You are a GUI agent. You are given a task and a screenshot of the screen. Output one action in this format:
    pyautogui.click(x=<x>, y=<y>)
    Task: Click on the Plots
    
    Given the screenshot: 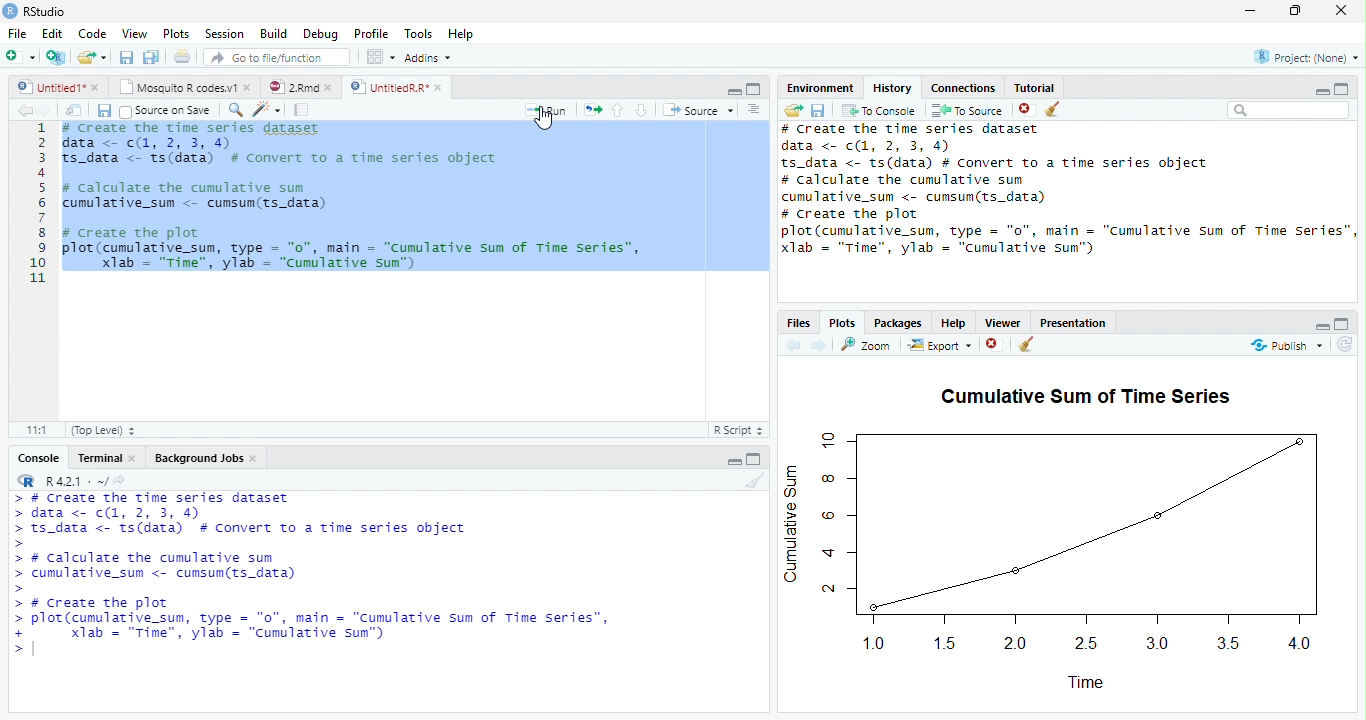 What is the action you would take?
    pyautogui.click(x=177, y=34)
    